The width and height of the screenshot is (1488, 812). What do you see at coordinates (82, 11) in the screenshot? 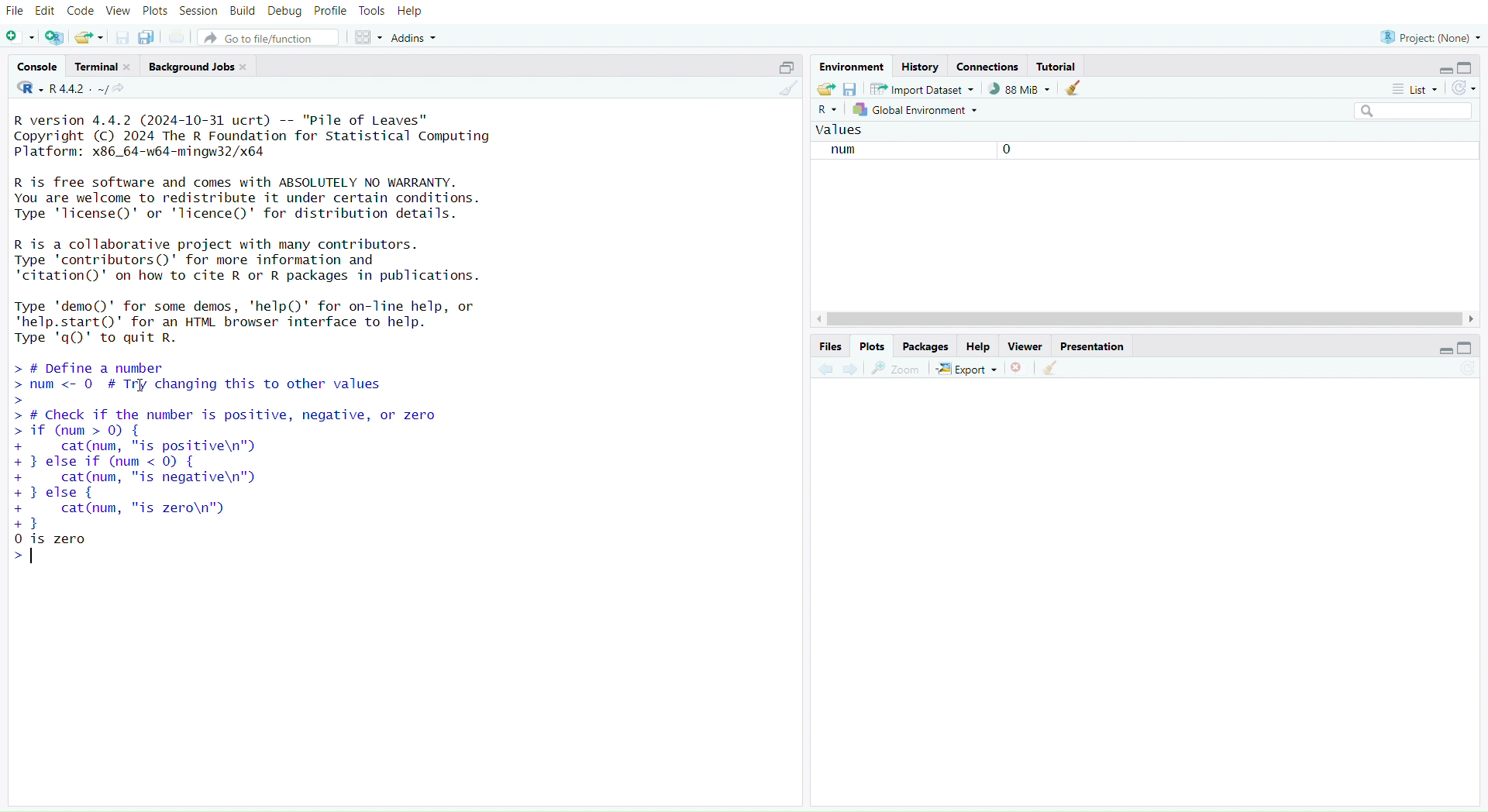
I see `code` at bounding box center [82, 11].